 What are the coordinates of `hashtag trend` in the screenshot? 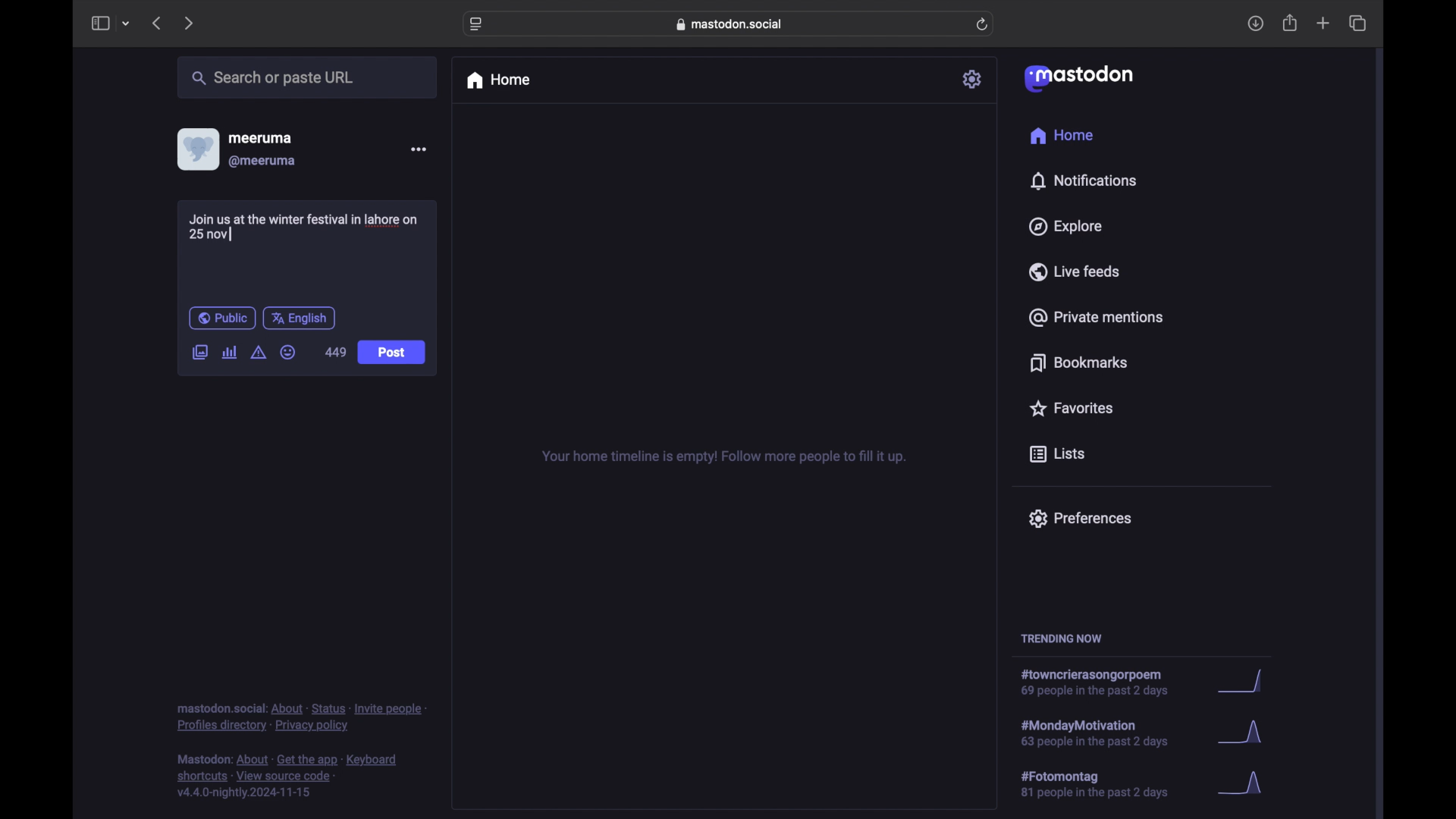 It's located at (1105, 785).